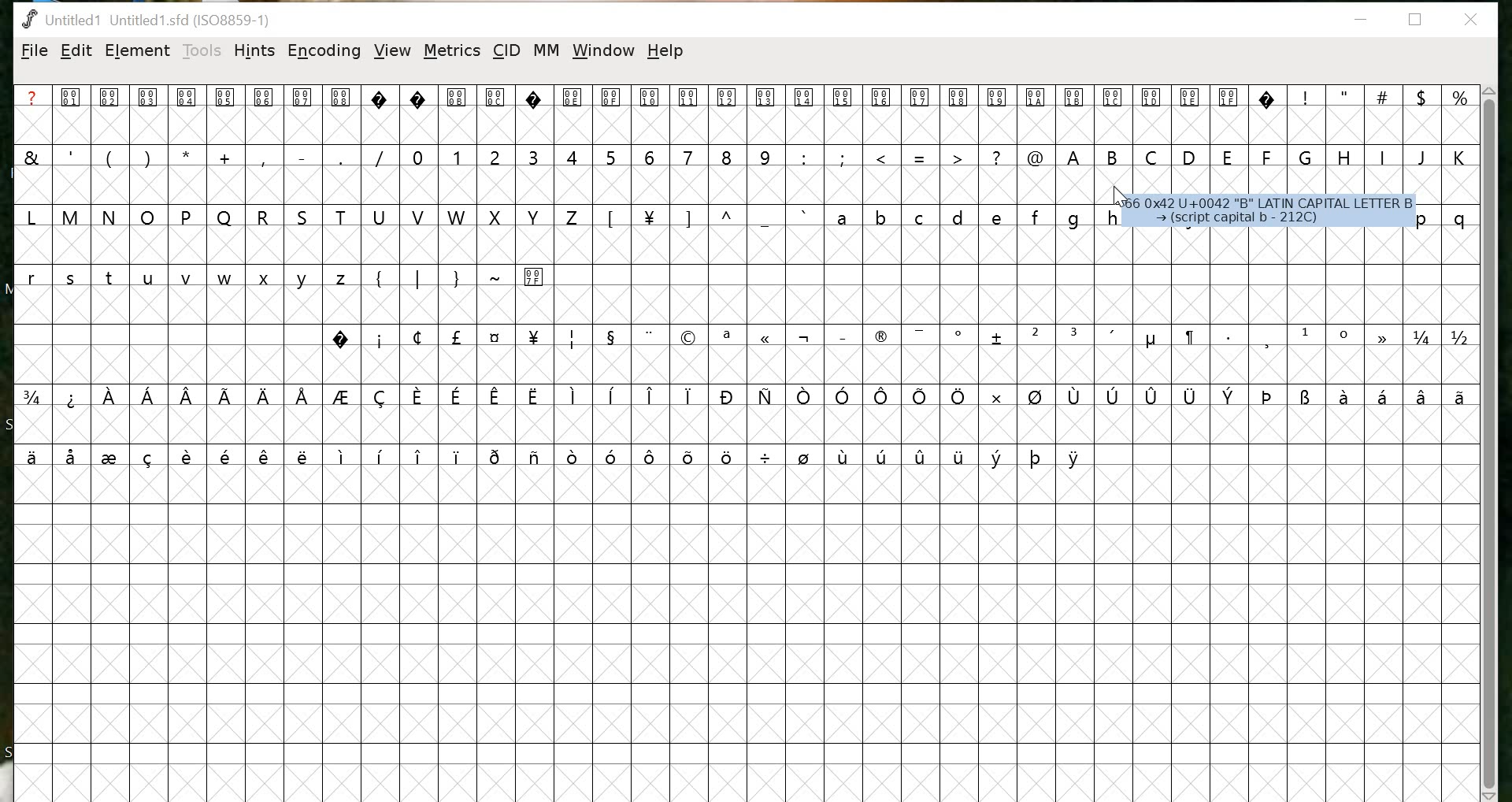 The width and height of the screenshot is (1512, 802). What do you see at coordinates (33, 52) in the screenshot?
I see `FILE` at bounding box center [33, 52].